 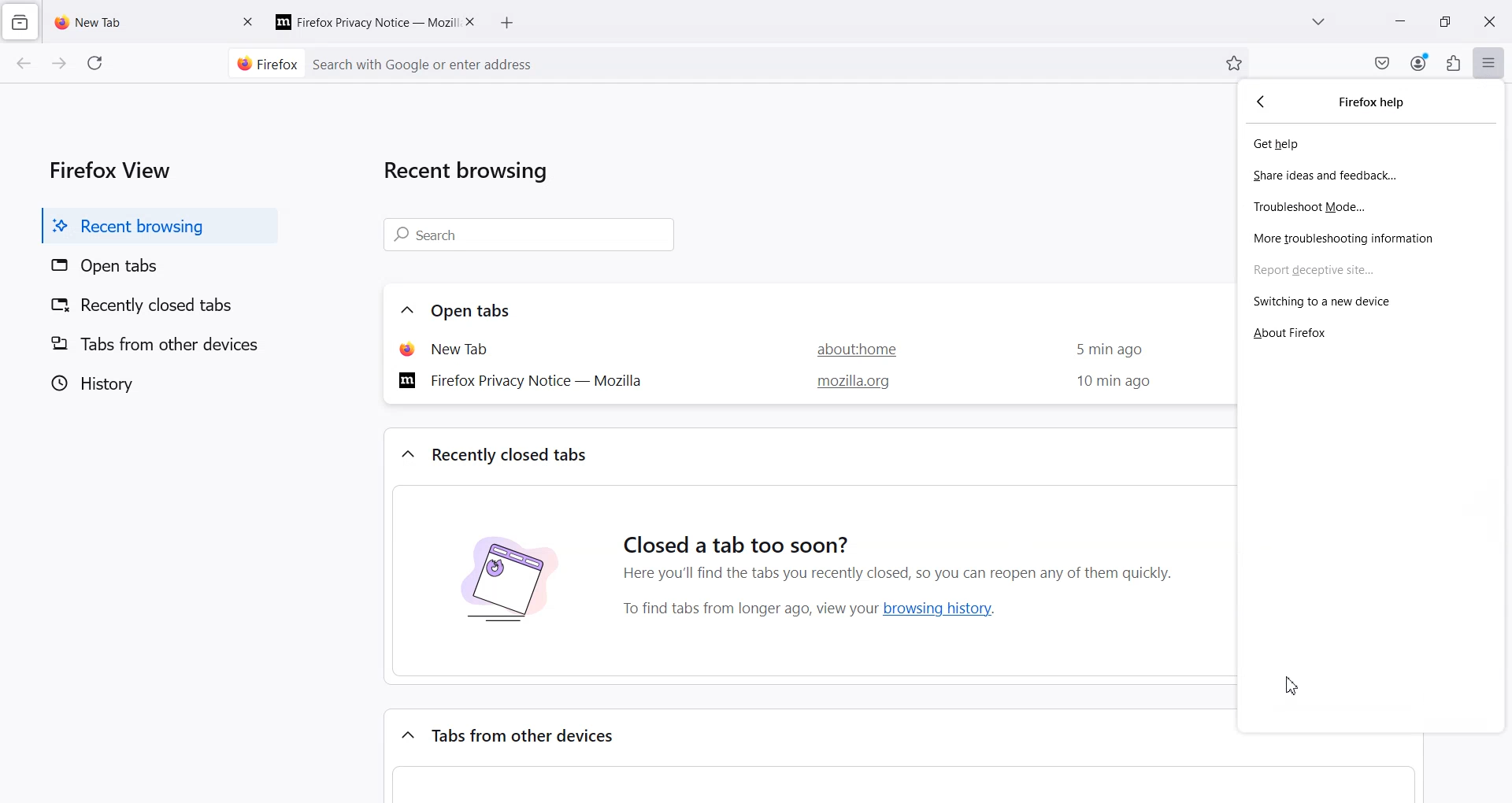 I want to click on Search with google or enter address, so click(x=761, y=63).